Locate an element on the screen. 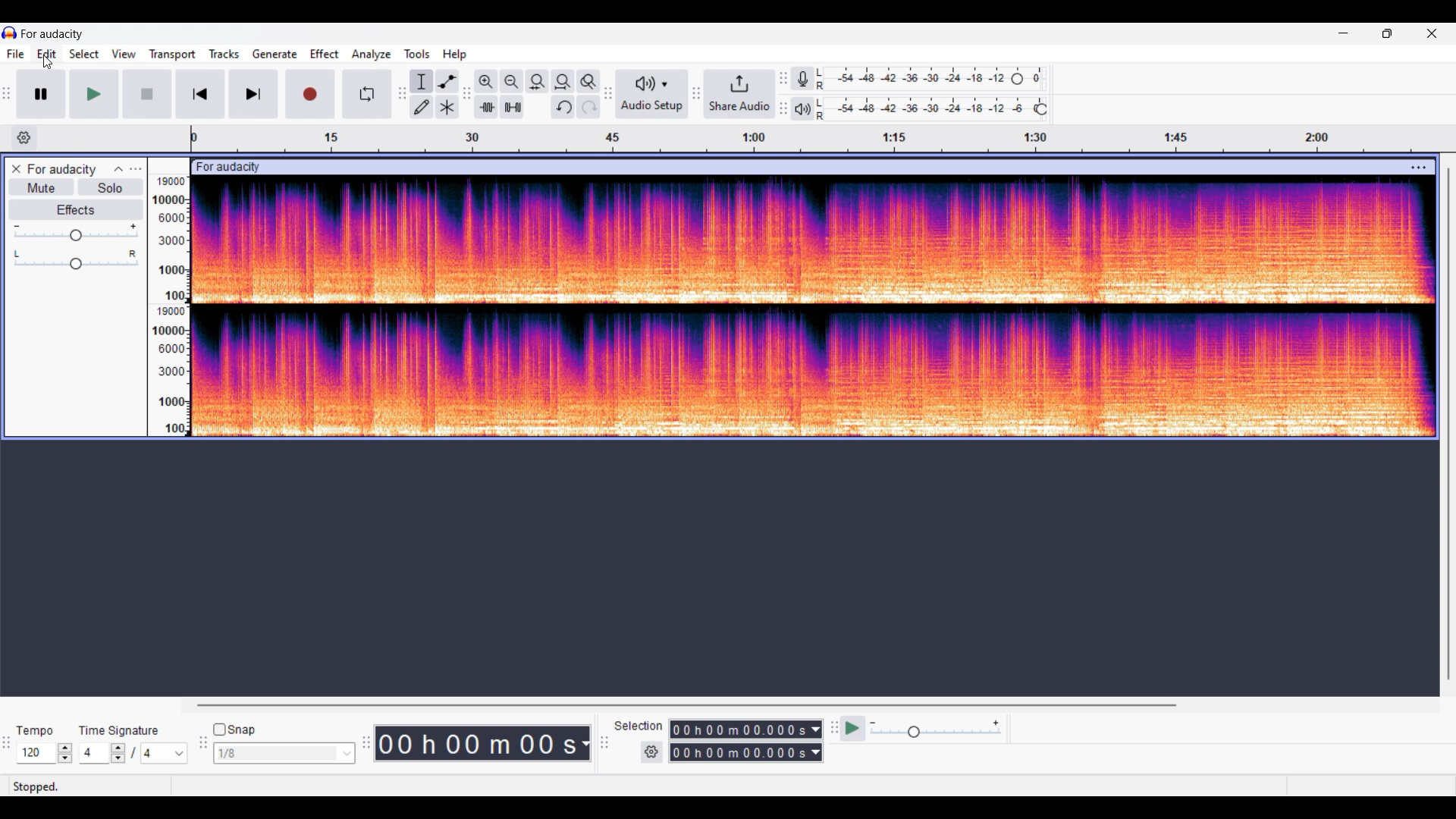  Close interface is located at coordinates (1432, 33).